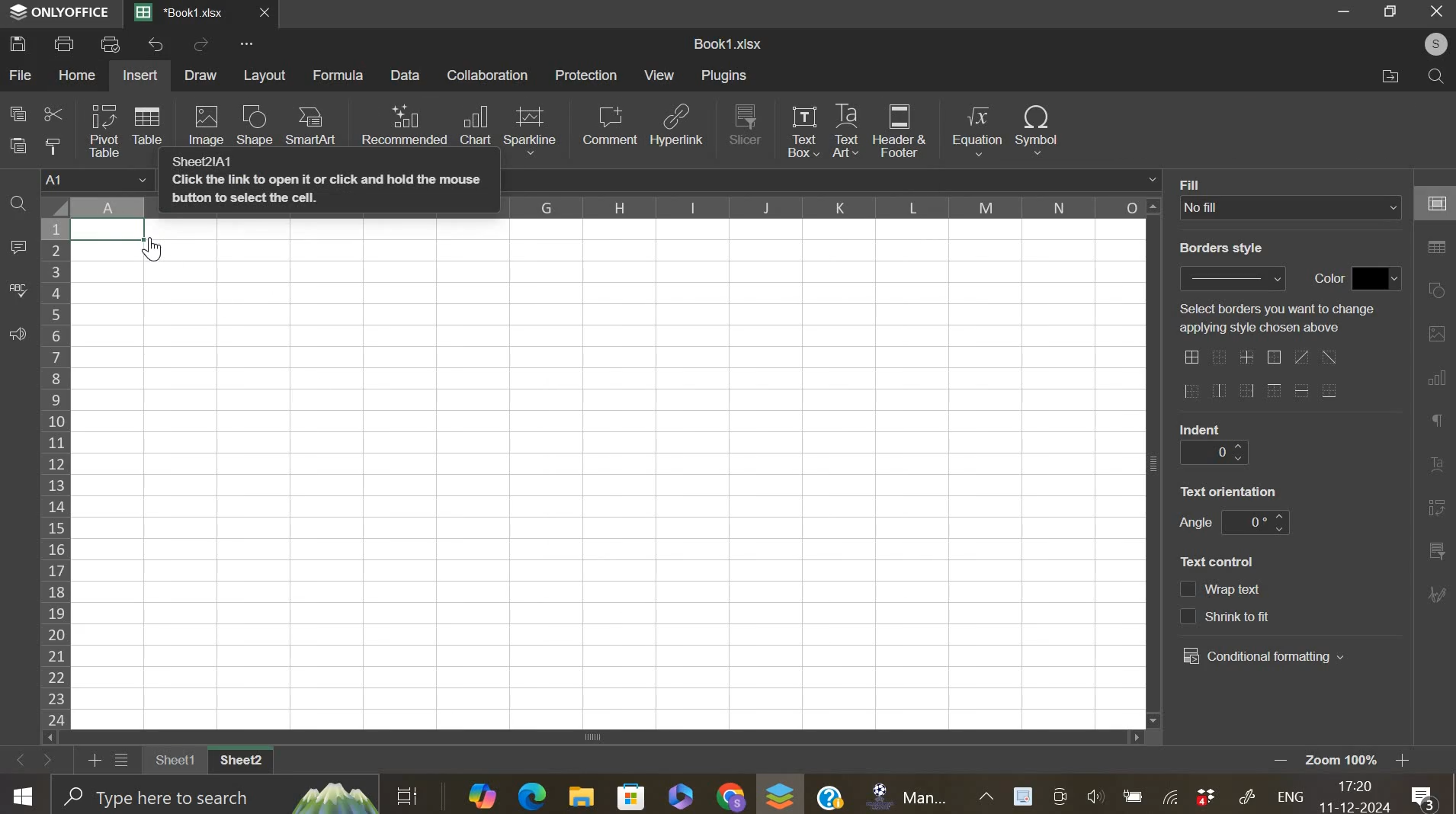  Describe the element at coordinates (111, 43) in the screenshot. I see `print preview` at that location.